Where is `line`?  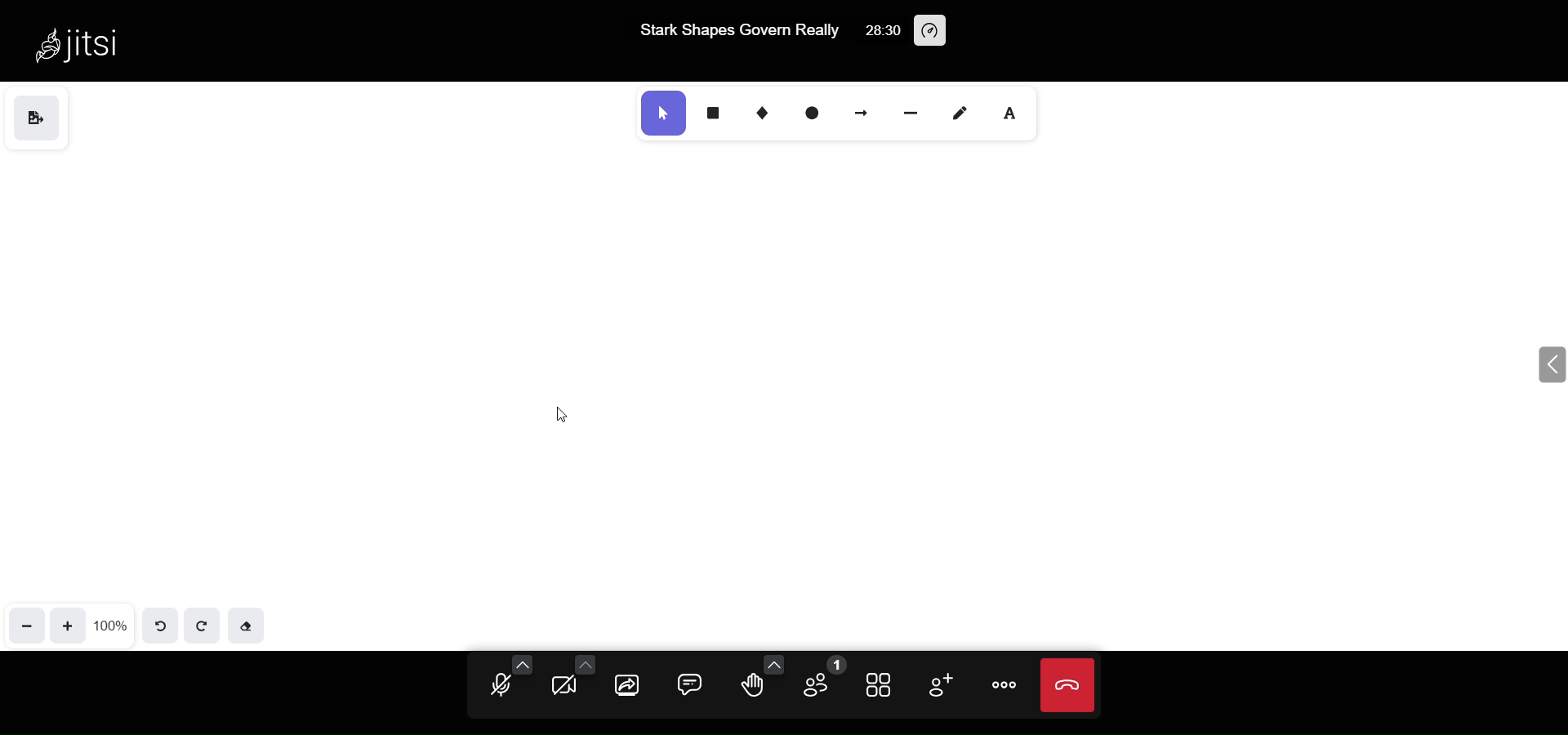 line is located at coordinates (911, 111).